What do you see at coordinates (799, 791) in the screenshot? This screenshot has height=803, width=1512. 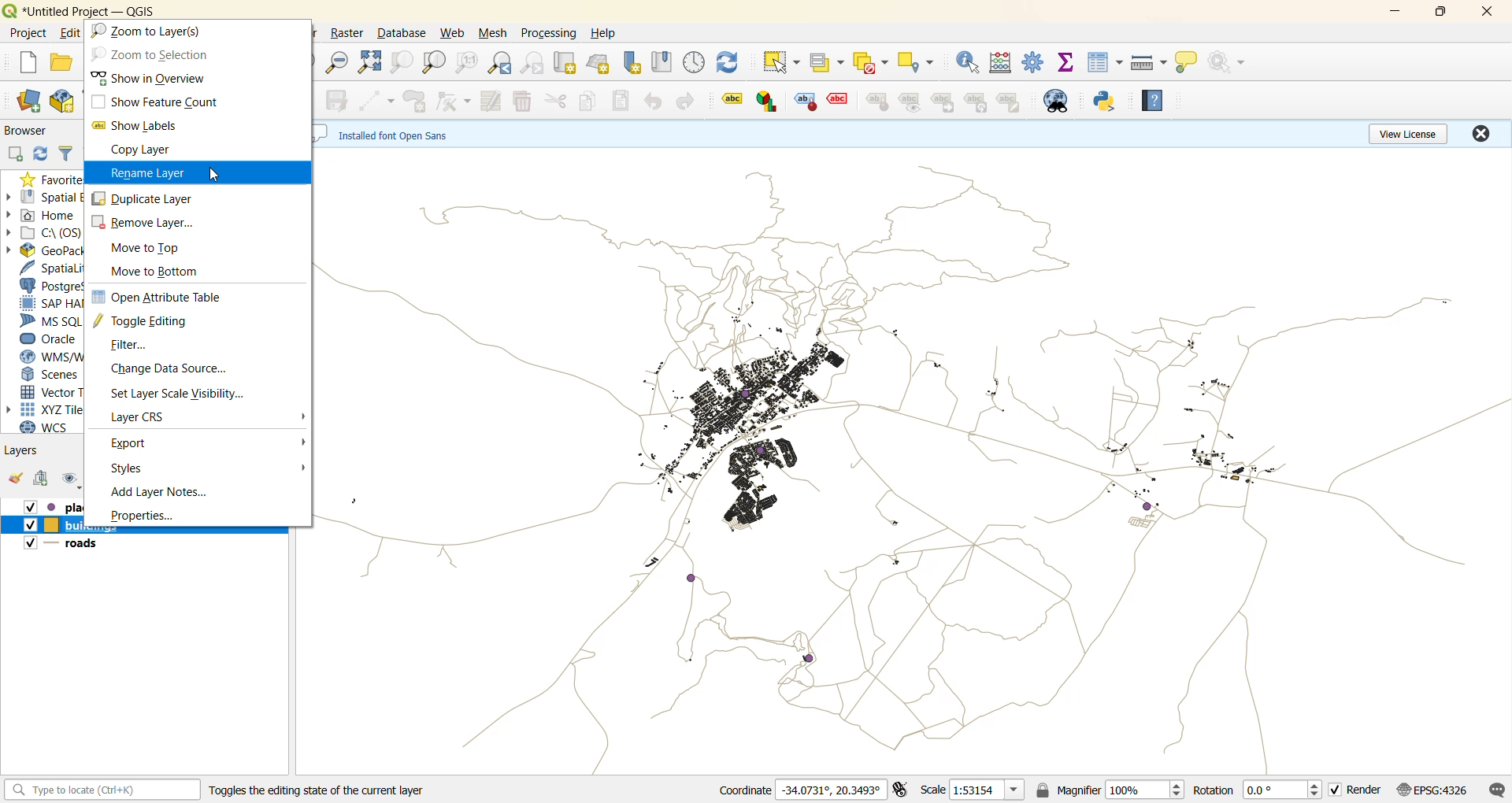 I see `coordinates` at bounding box center [799, 791].